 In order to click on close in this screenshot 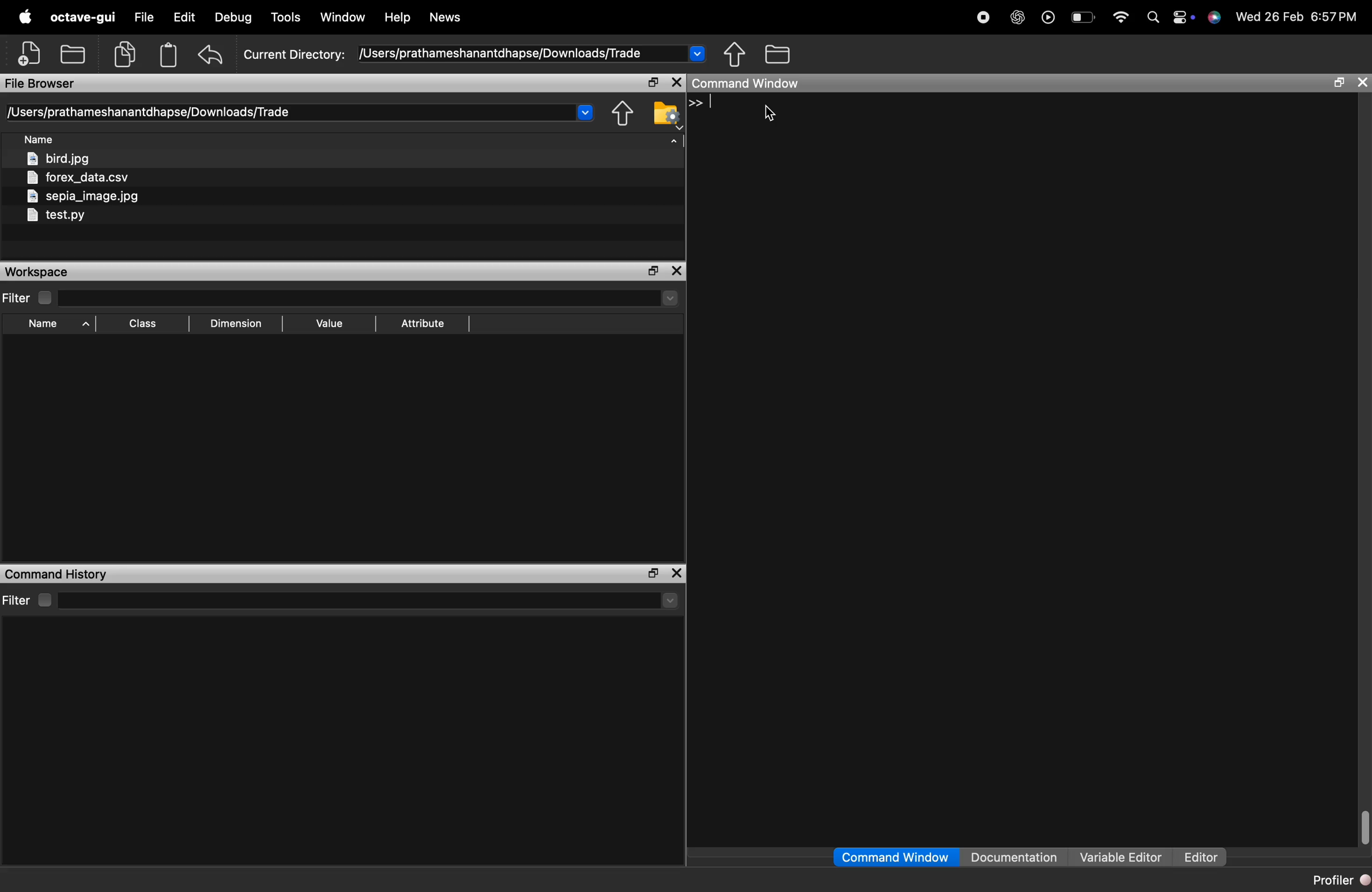, I will do `click(1363, 83)`.